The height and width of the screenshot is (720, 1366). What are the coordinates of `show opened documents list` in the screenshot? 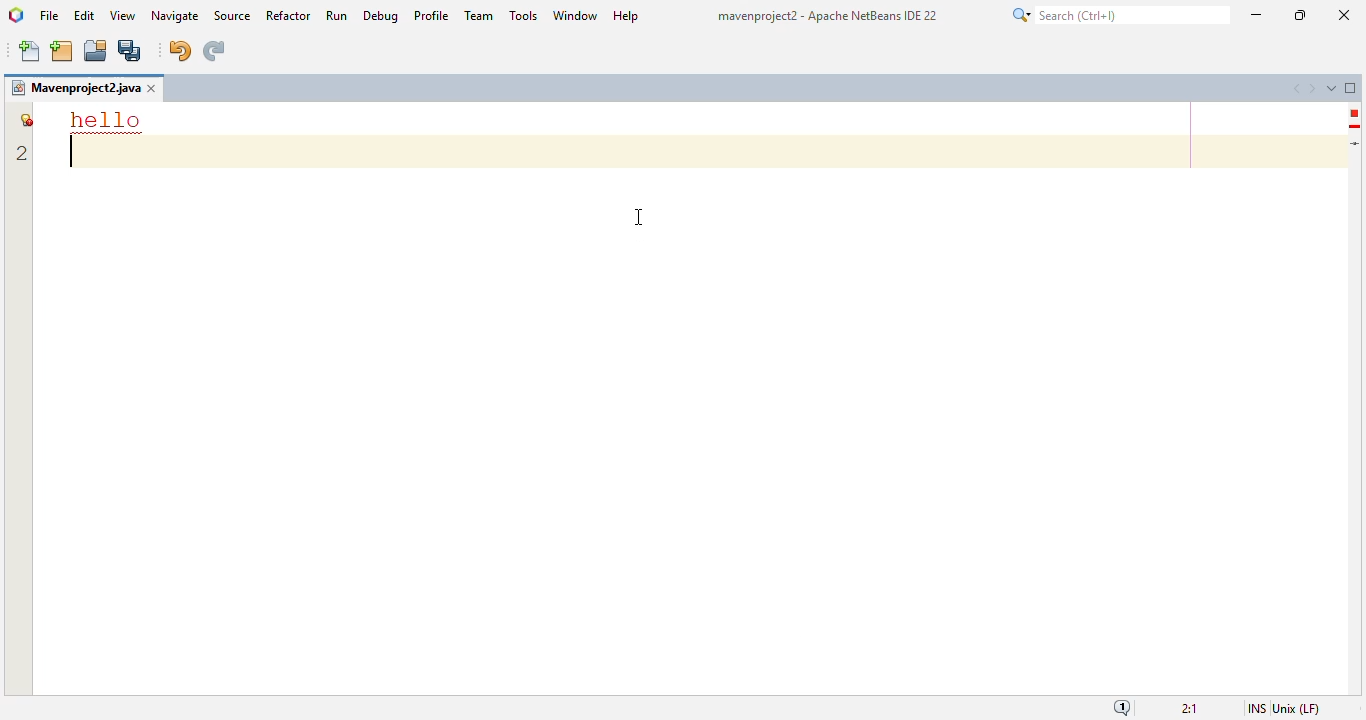 It's located at (1331, 88).